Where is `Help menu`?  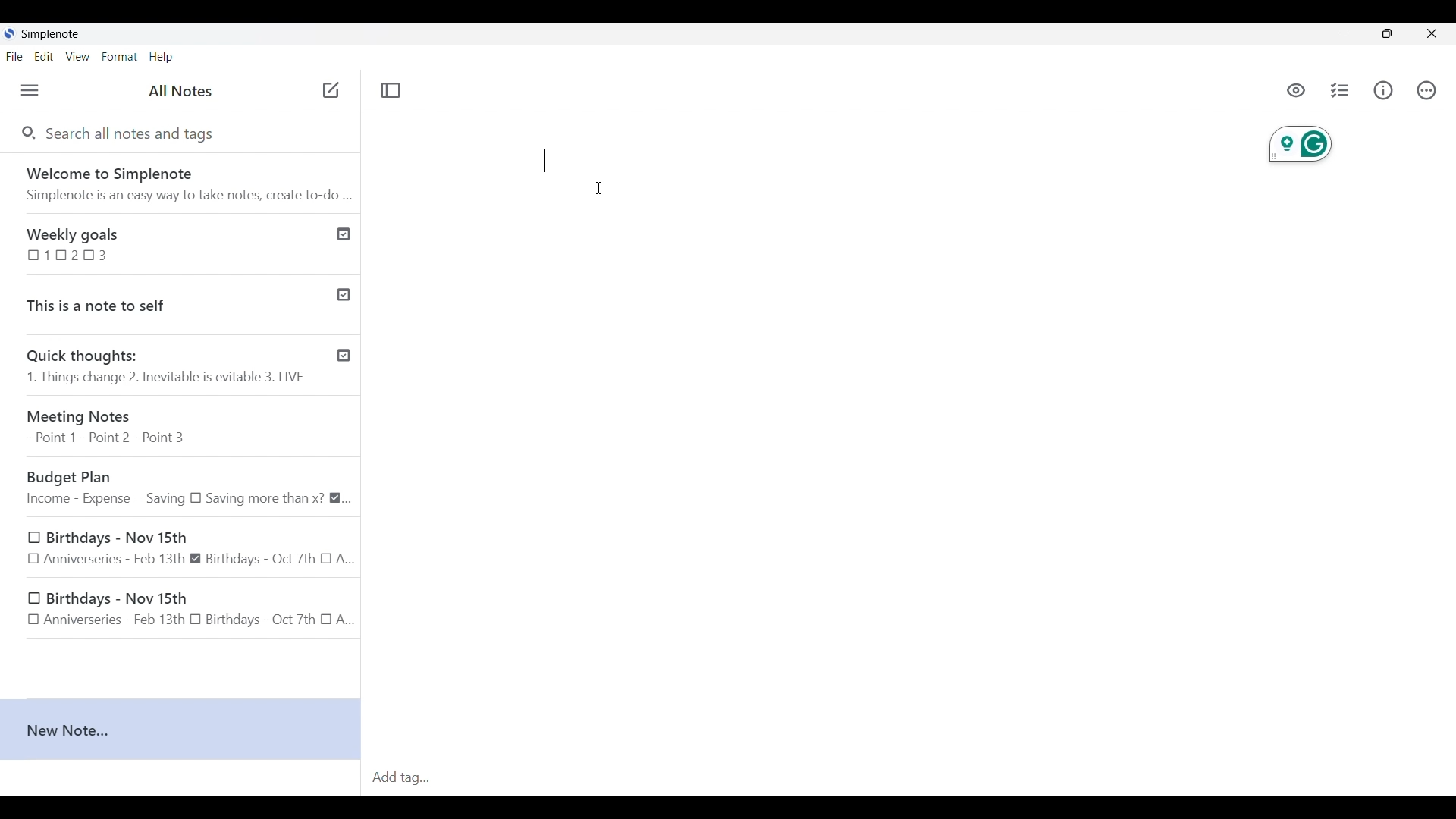
Help menu is located at coordinates (162, 57).